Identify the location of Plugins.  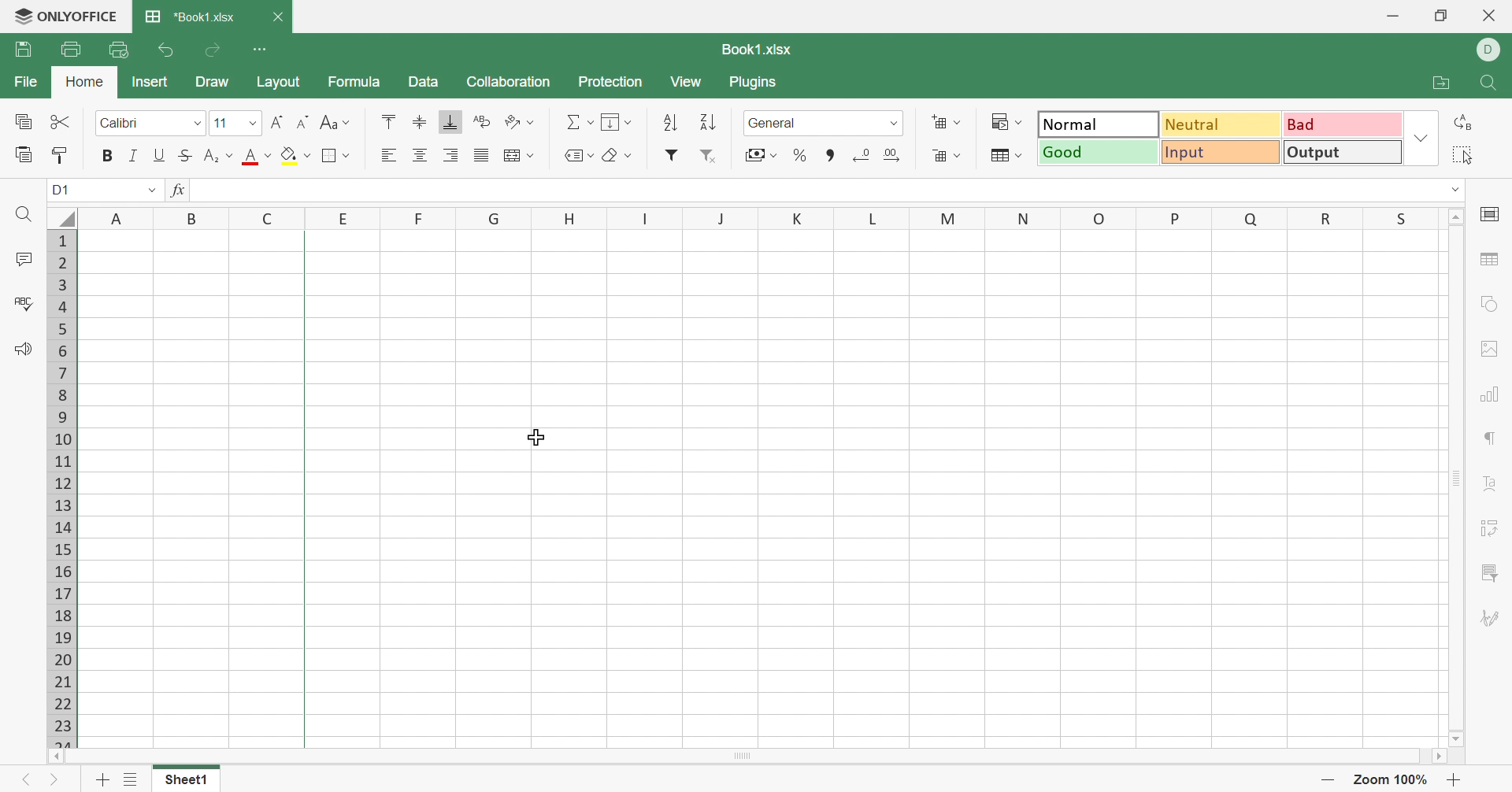
(754, 85).